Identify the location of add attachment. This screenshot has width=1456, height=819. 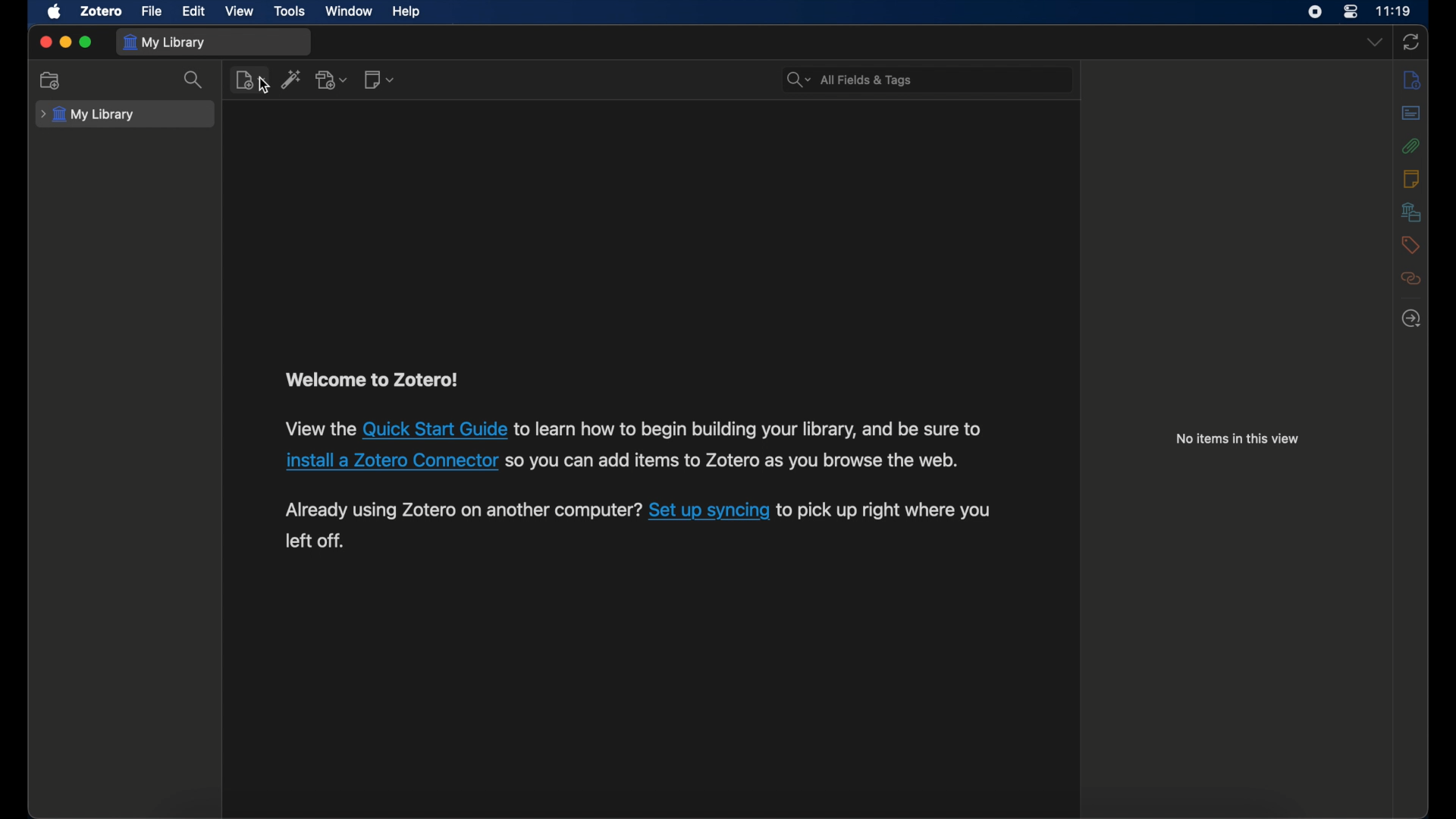
(332, 80).